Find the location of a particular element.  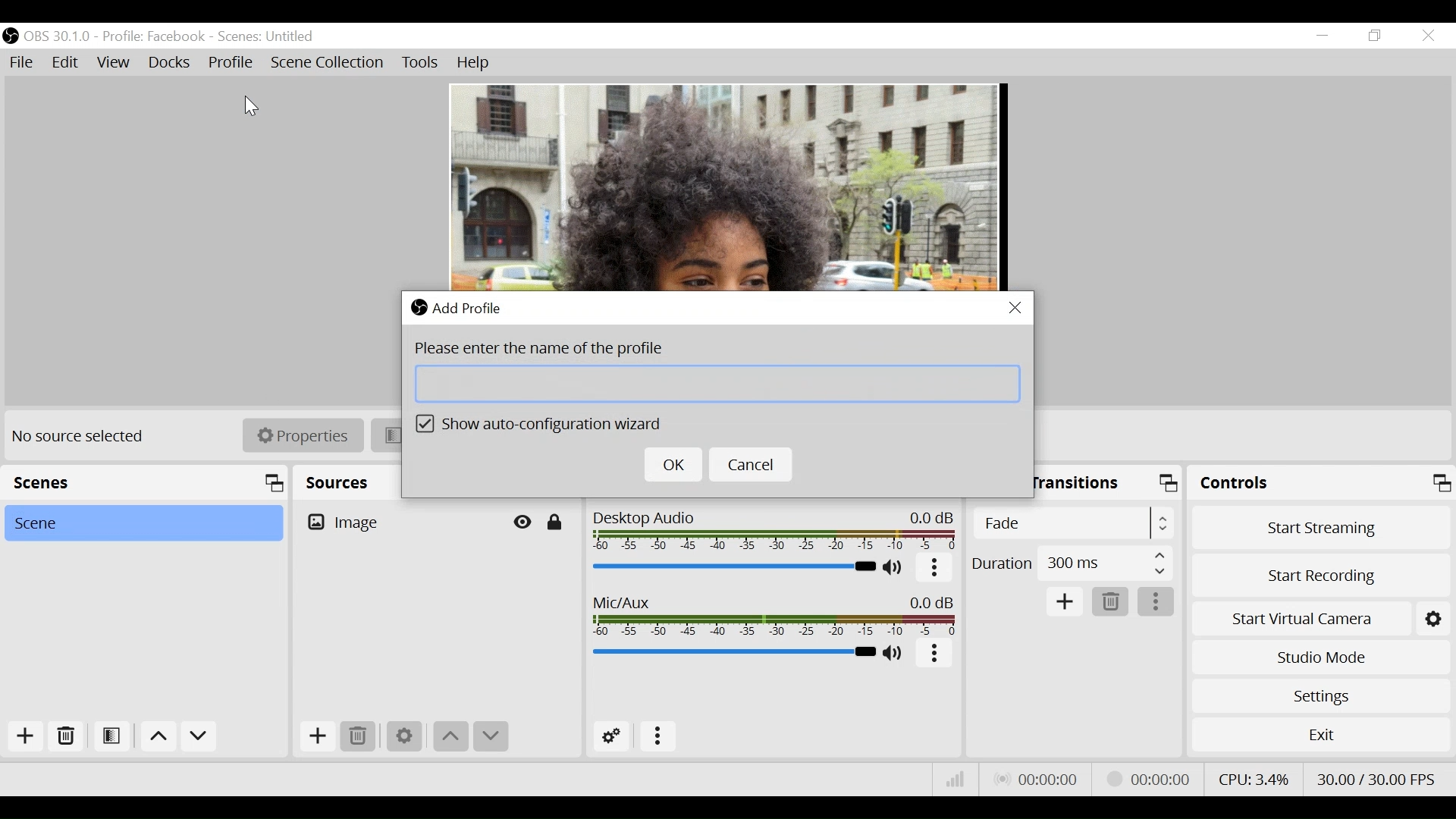

CPU Usage is located at coordinates (1255, 777).